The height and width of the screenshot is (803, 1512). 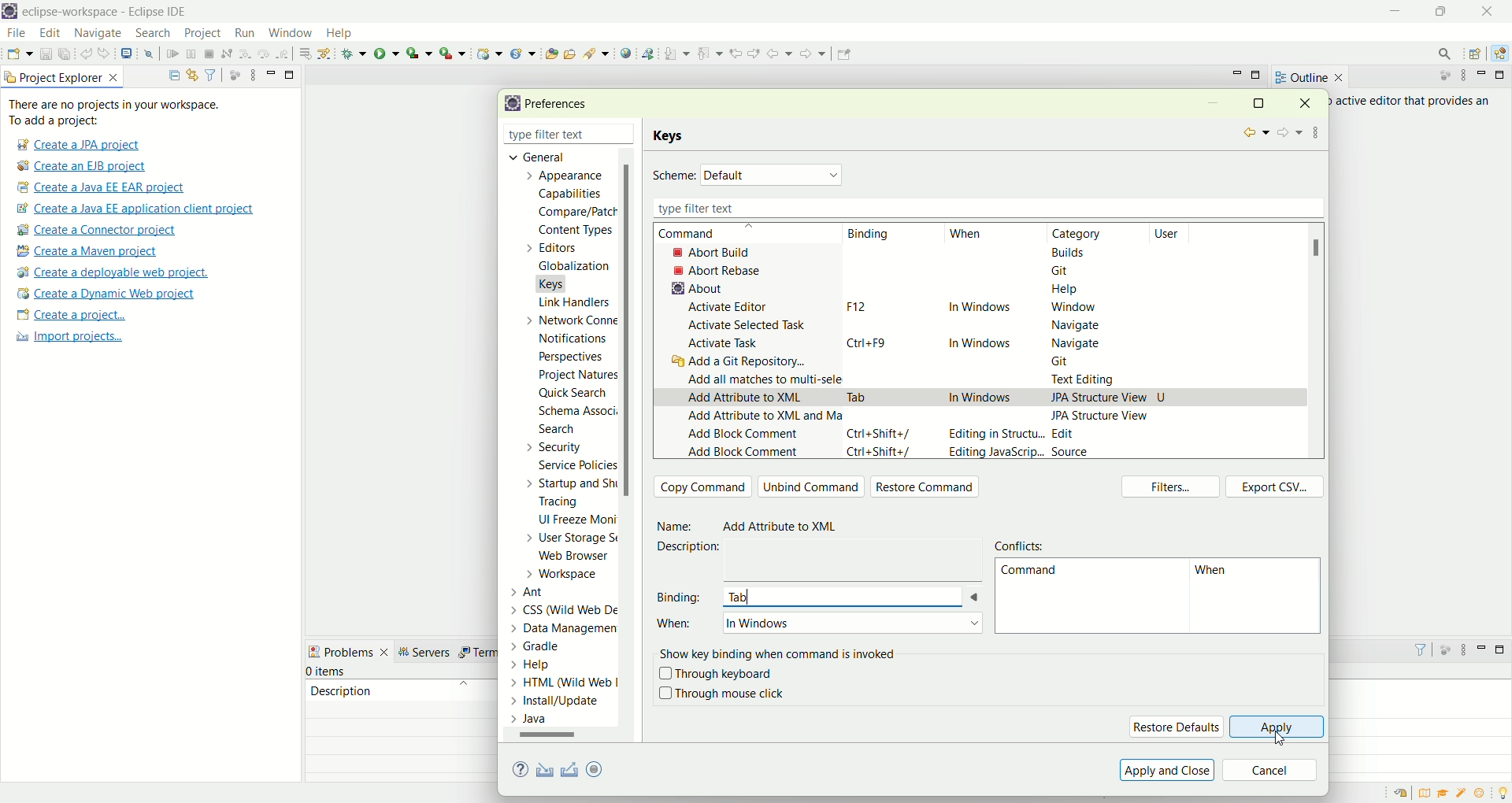 What do you see at coordinates (1069, 252) in the screenshot?
I see `builds` at bounding box center [1069, 252].